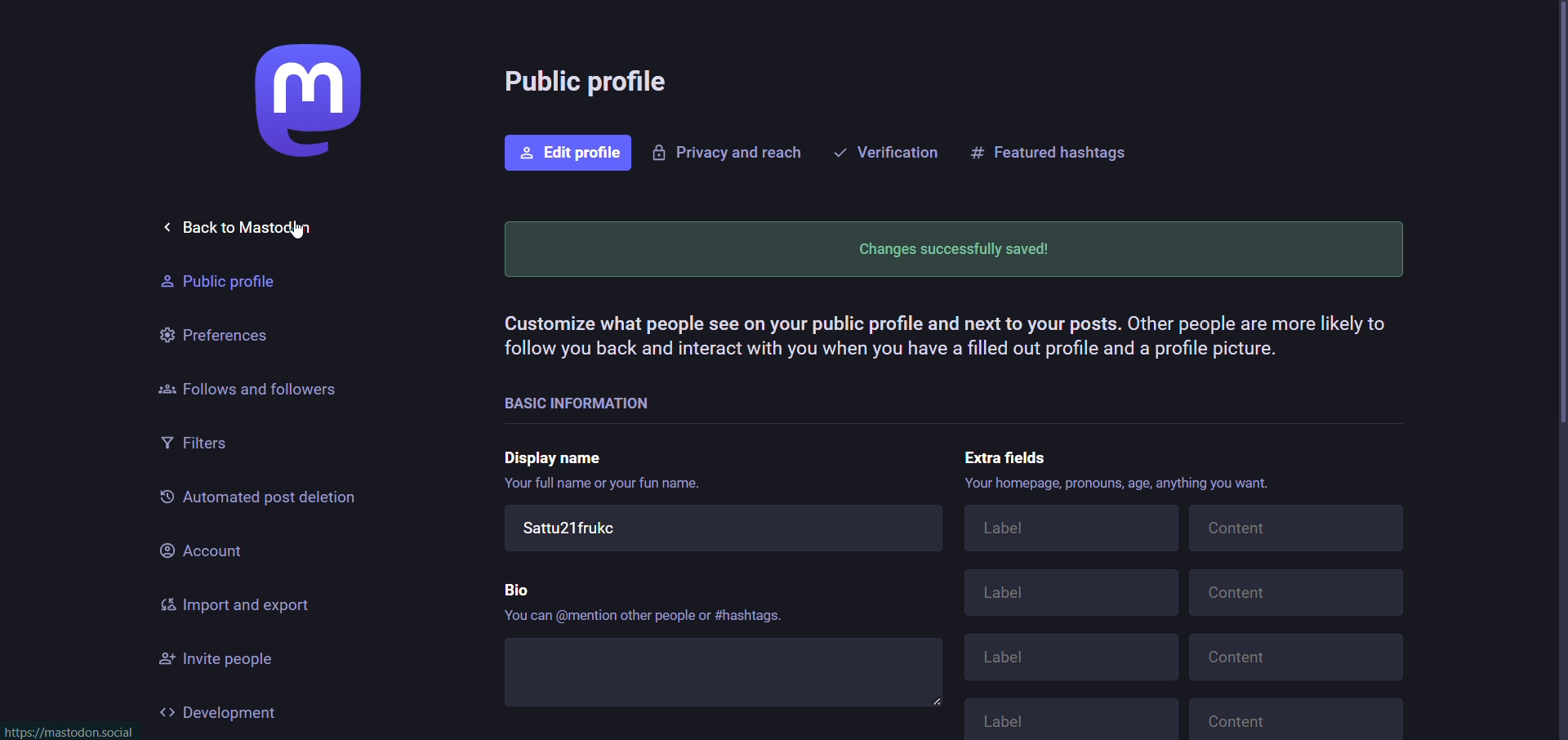  I want to click on Label, so click(1073, 658).